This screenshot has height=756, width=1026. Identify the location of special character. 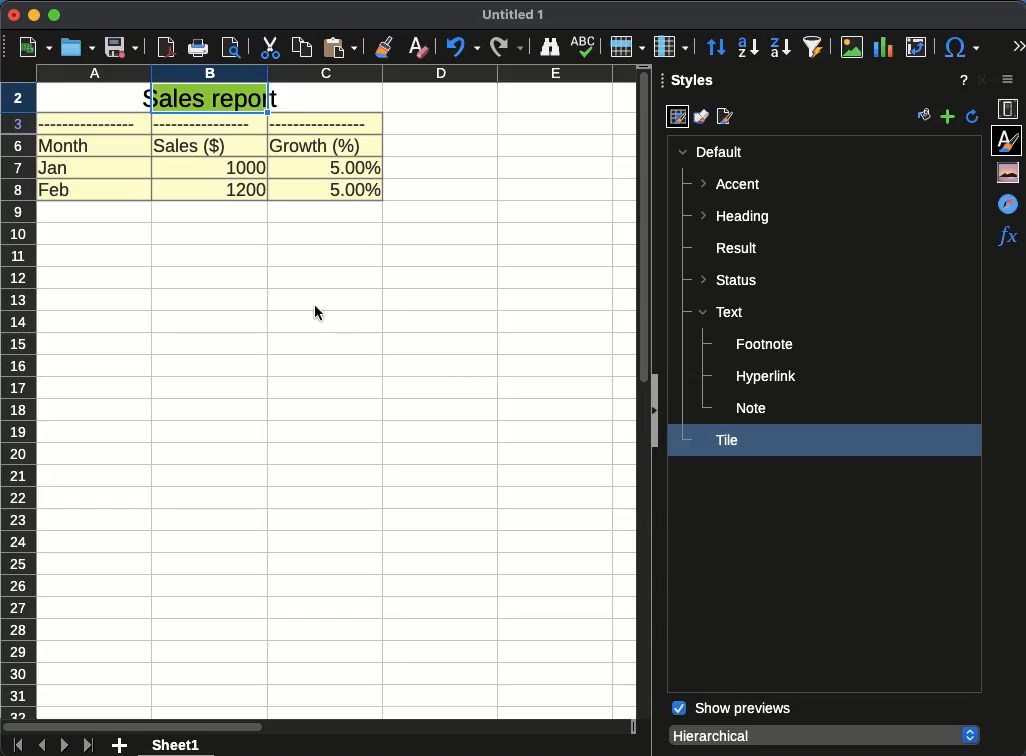
(959, 47).